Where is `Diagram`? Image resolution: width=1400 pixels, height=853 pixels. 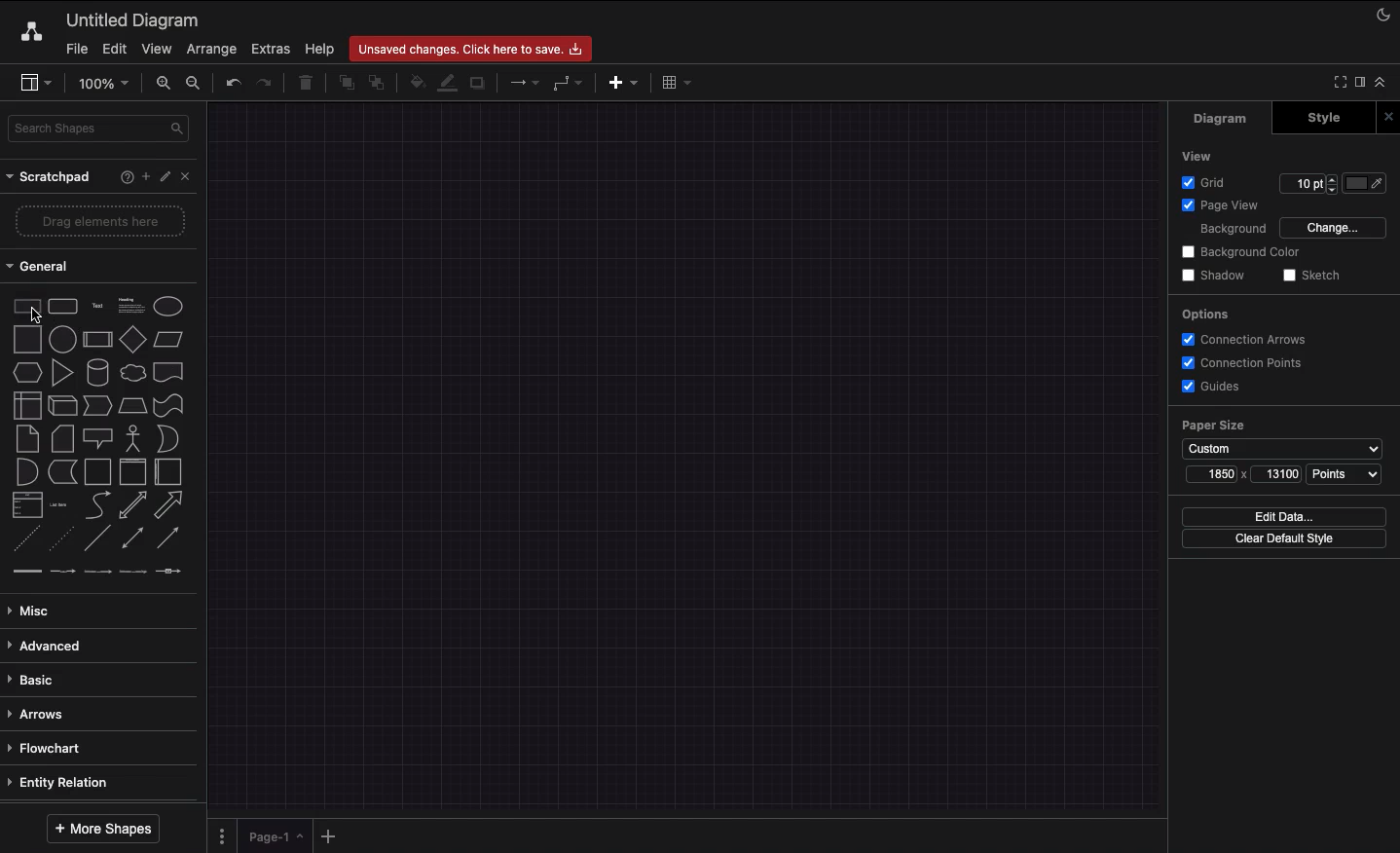
Diagram is located at coordinates (1228, 119).